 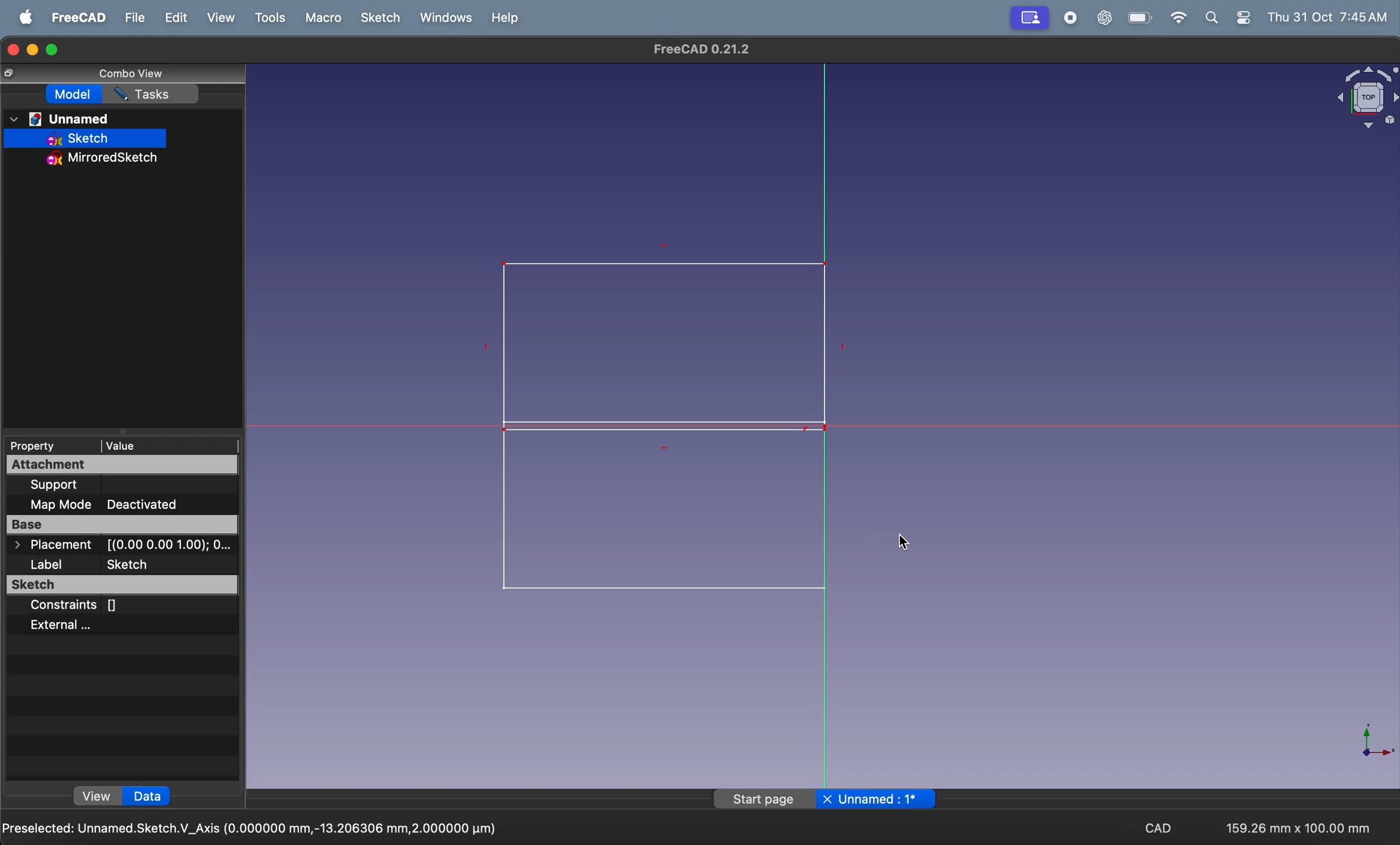 I want to click on rectangle, so click(x=653, y=335).